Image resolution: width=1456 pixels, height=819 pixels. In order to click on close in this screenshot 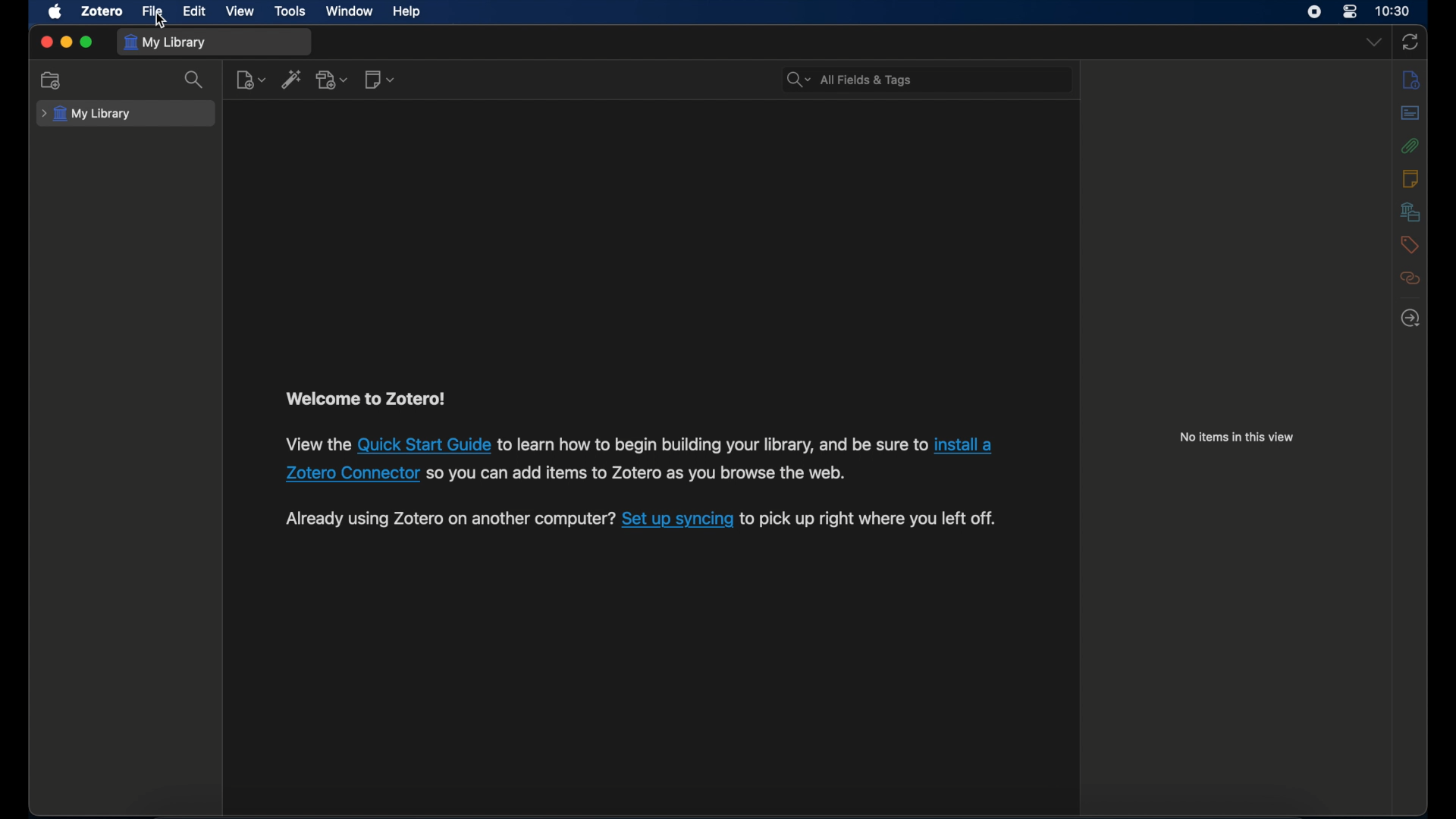, I will do `click(47, 42)`.